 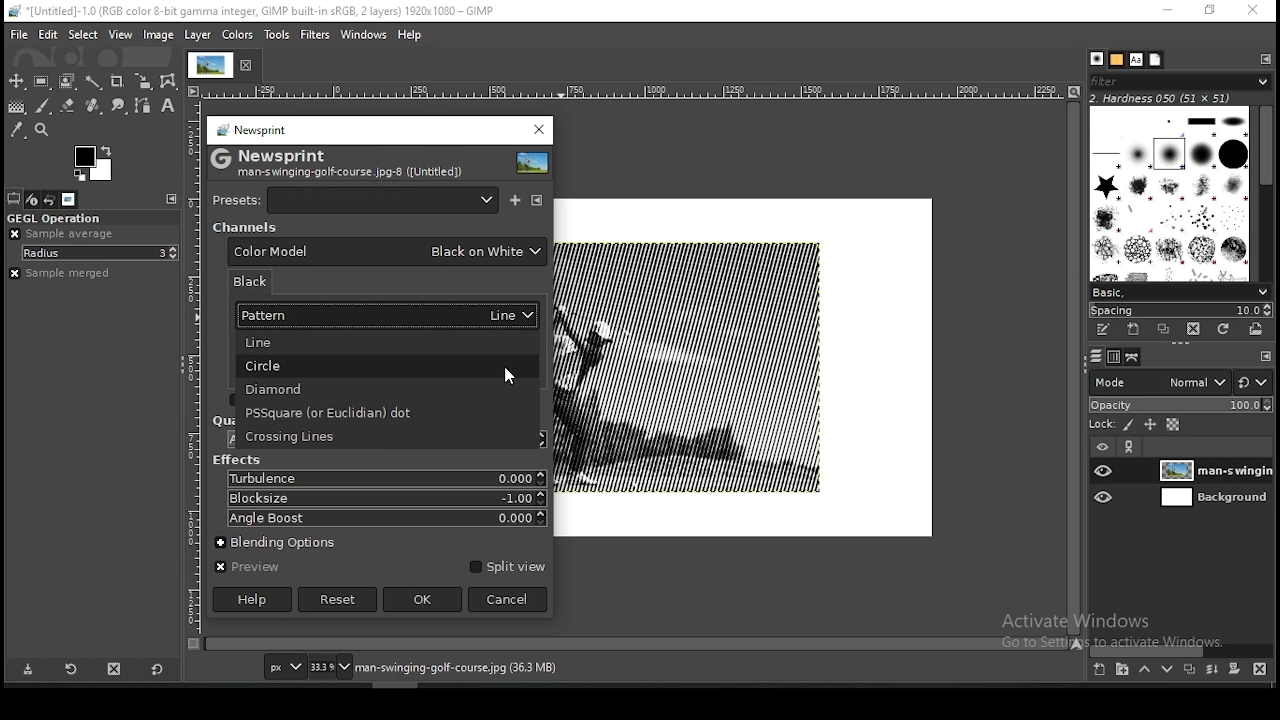 I want to click on select, so click(x=83, y=35).